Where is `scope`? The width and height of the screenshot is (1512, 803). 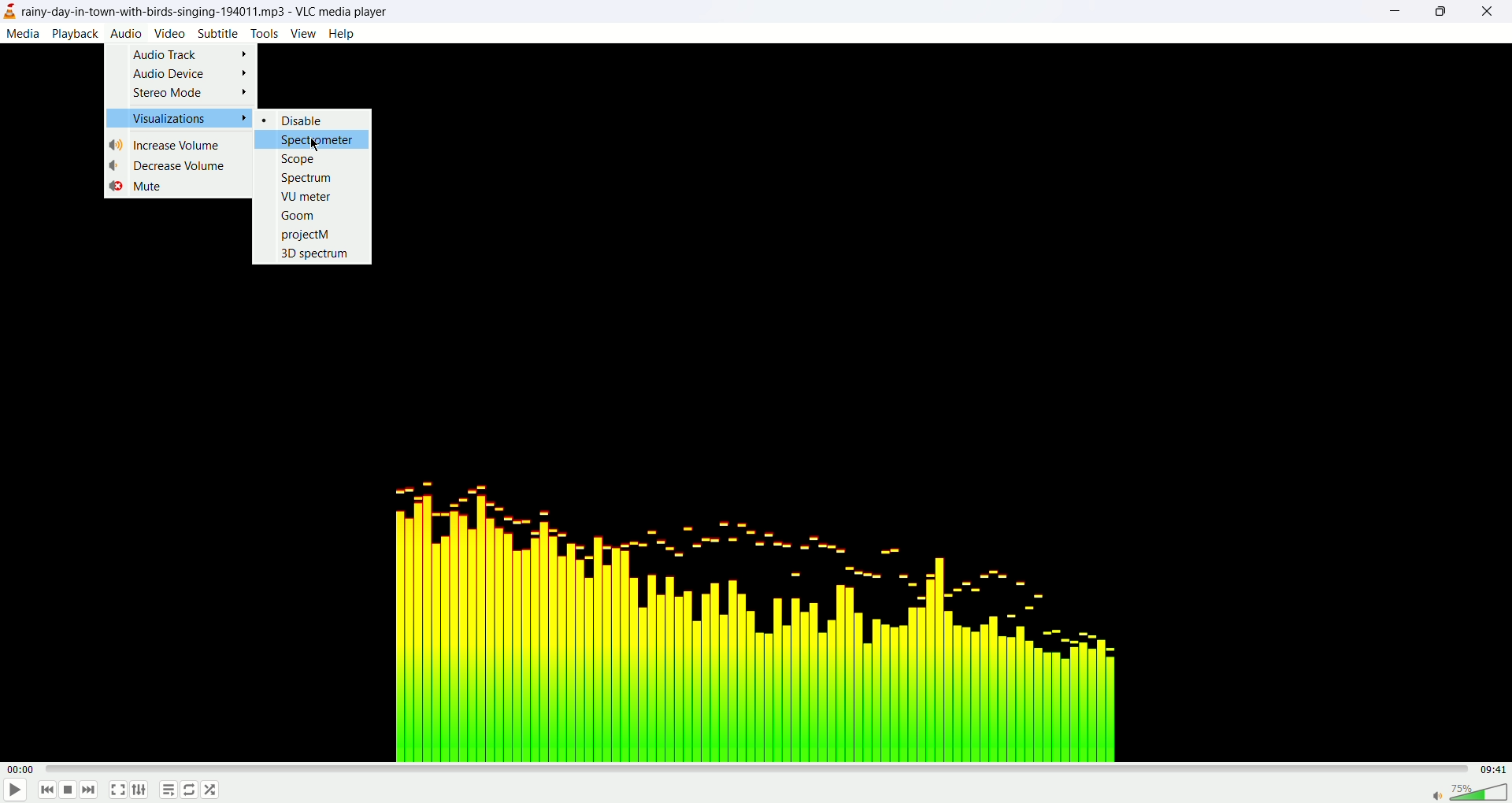
scope is located at coordinates (299, 158).